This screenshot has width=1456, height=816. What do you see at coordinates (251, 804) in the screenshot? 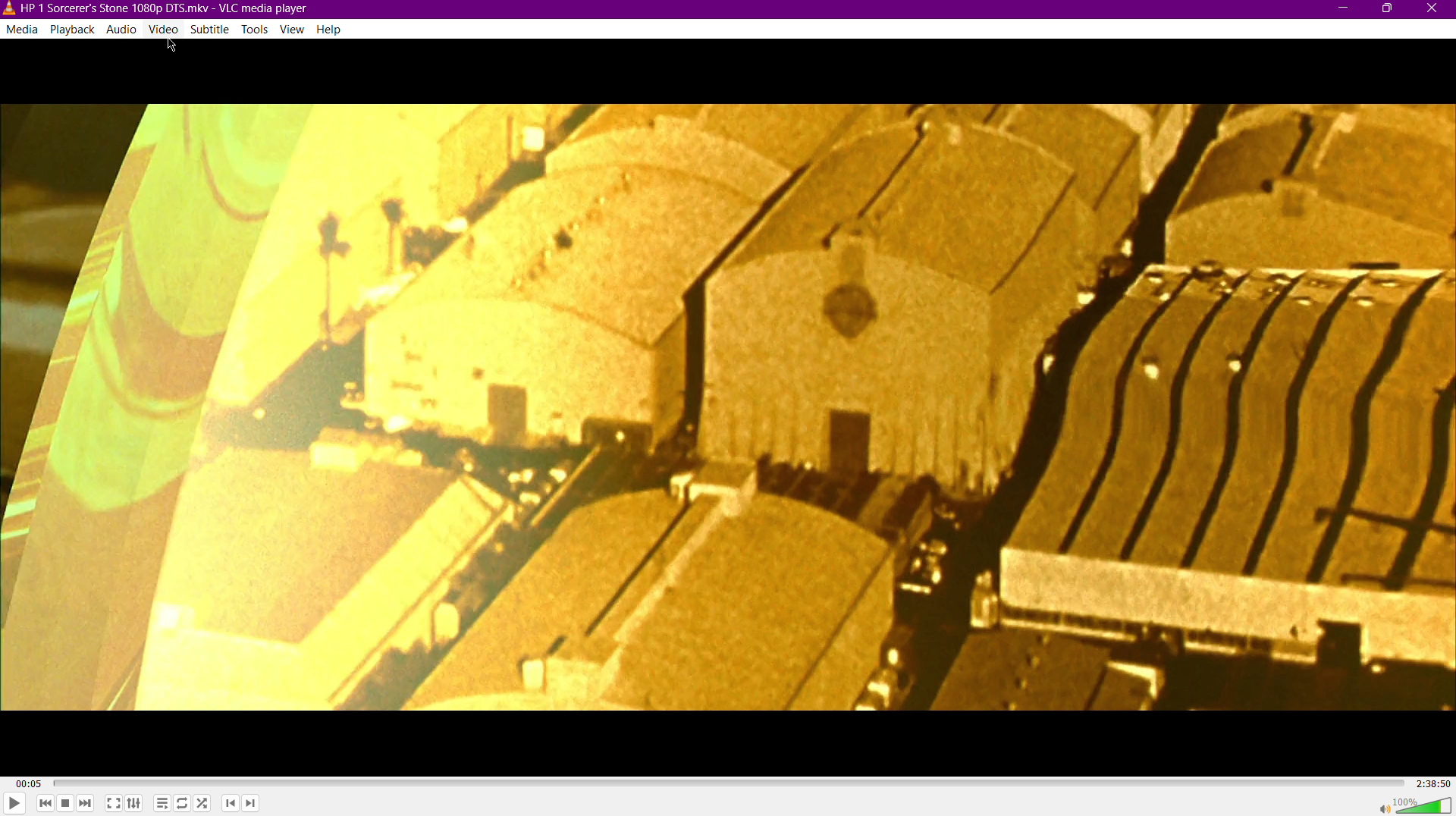
I see `Next Chapter` at bounding box center [251, 804].